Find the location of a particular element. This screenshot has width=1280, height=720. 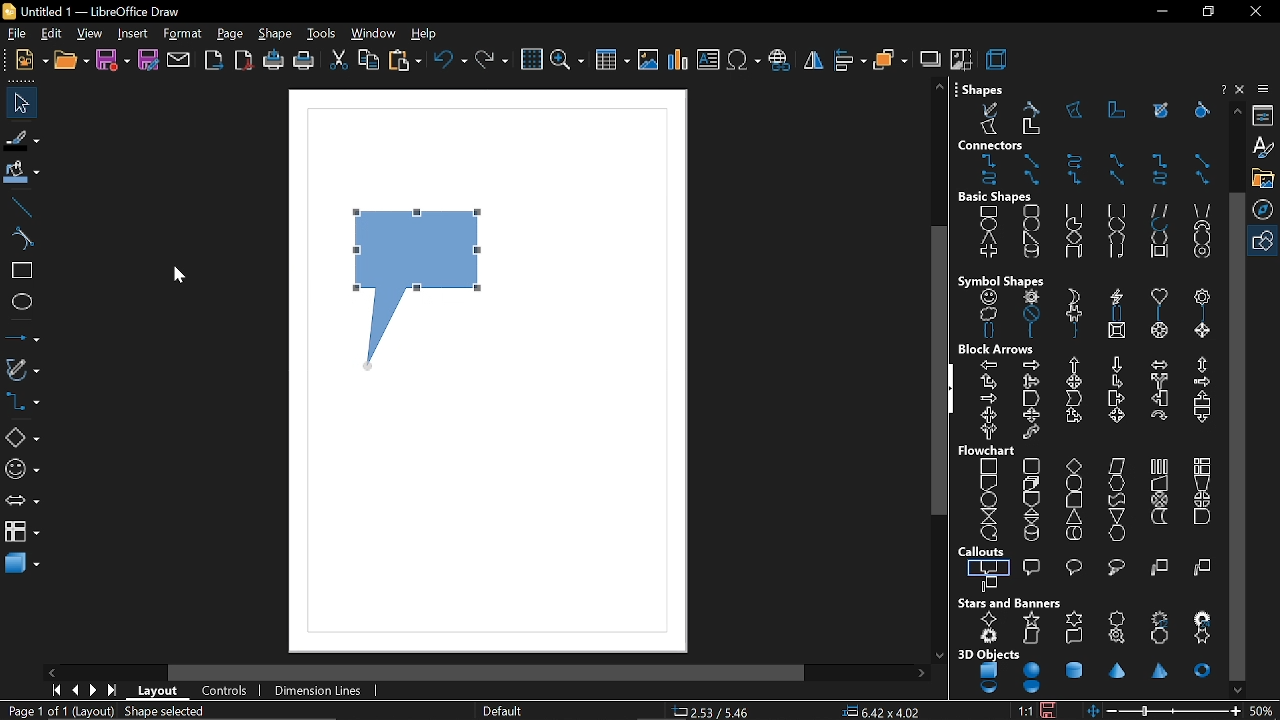

right arrow callout is located at coordinates (1115, 399).